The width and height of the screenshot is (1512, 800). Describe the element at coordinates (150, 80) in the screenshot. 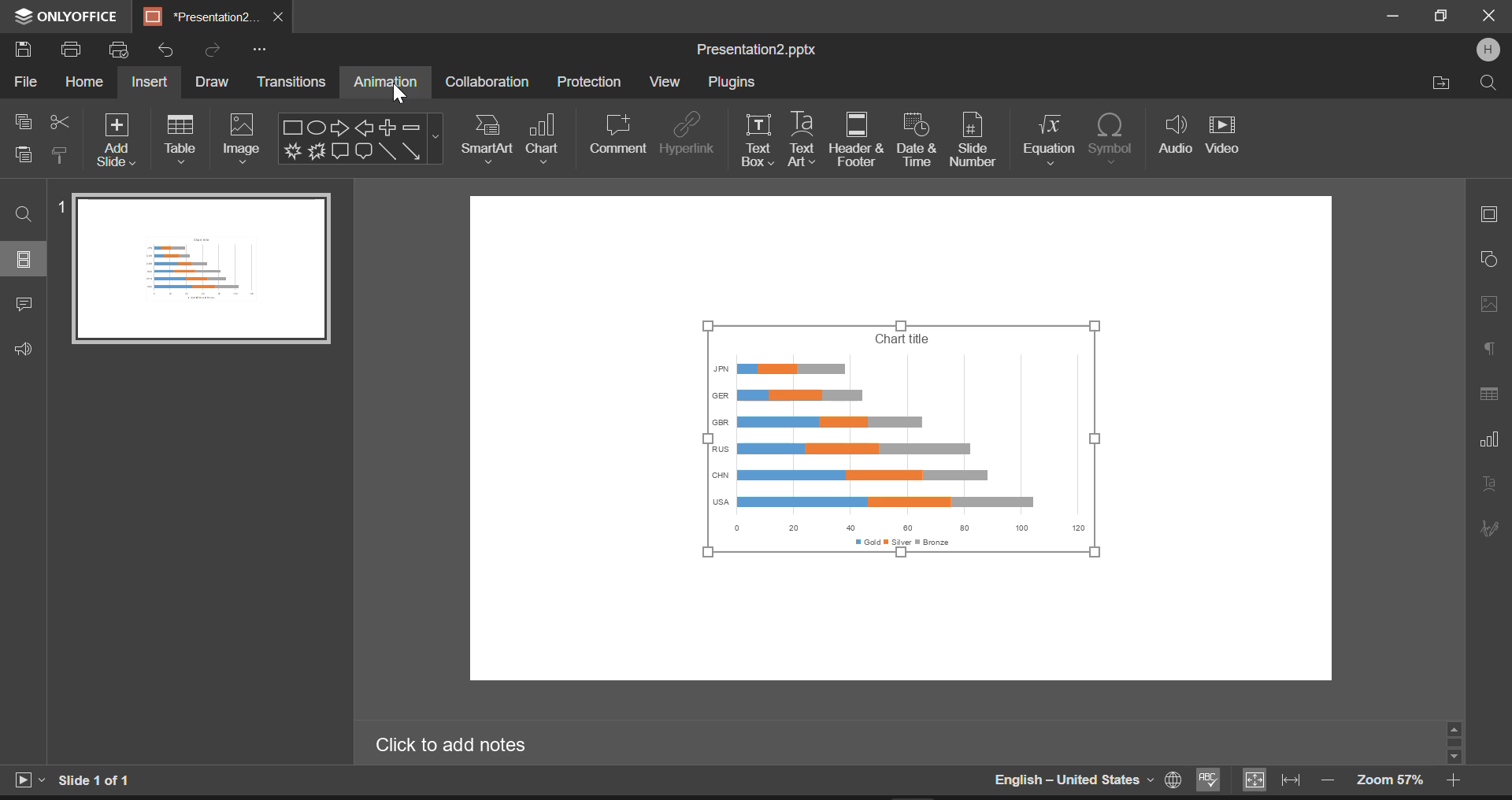

I see `Insert` at that location.